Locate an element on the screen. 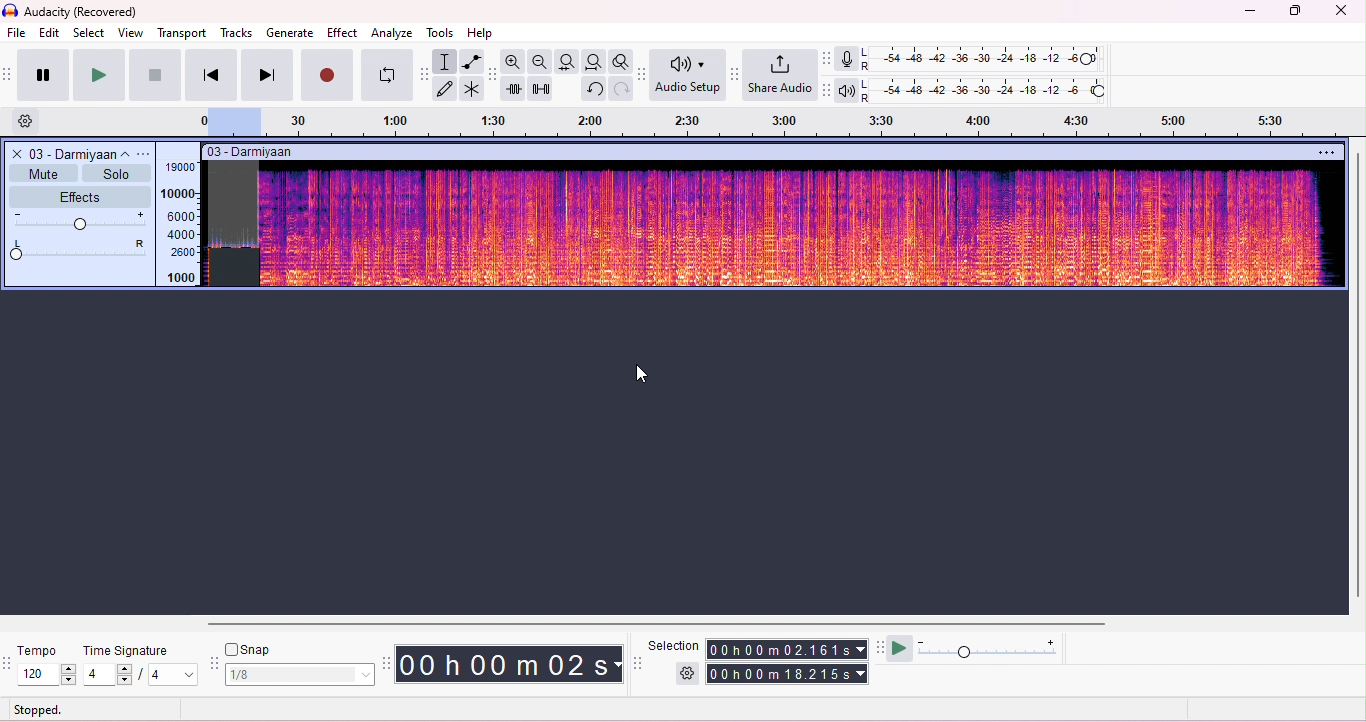 The width and height of the screenshot is (1366, 722). select tempo is located at coordinates (47, 674).